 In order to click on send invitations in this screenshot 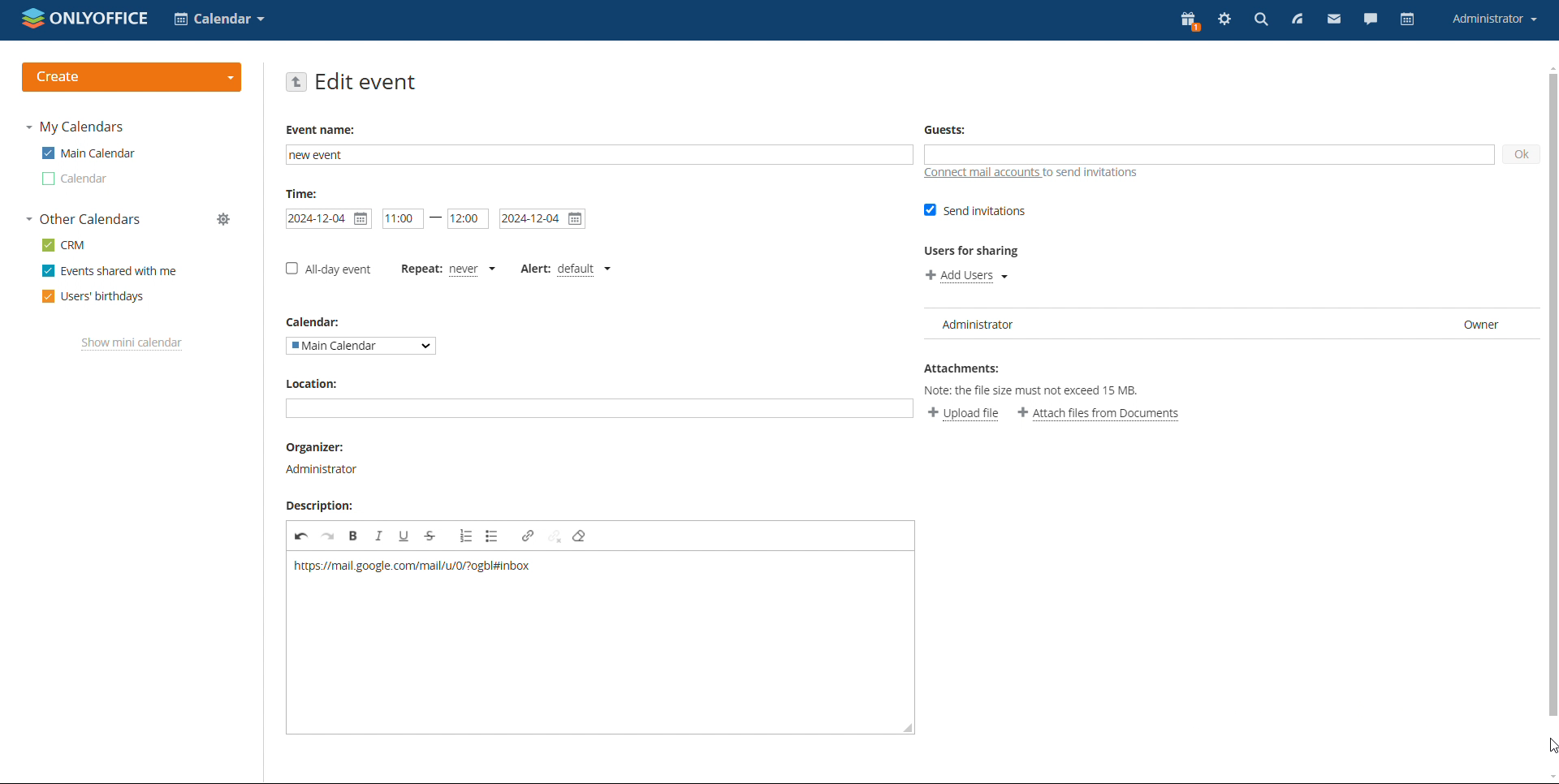, I will do `click(972, 210)`.